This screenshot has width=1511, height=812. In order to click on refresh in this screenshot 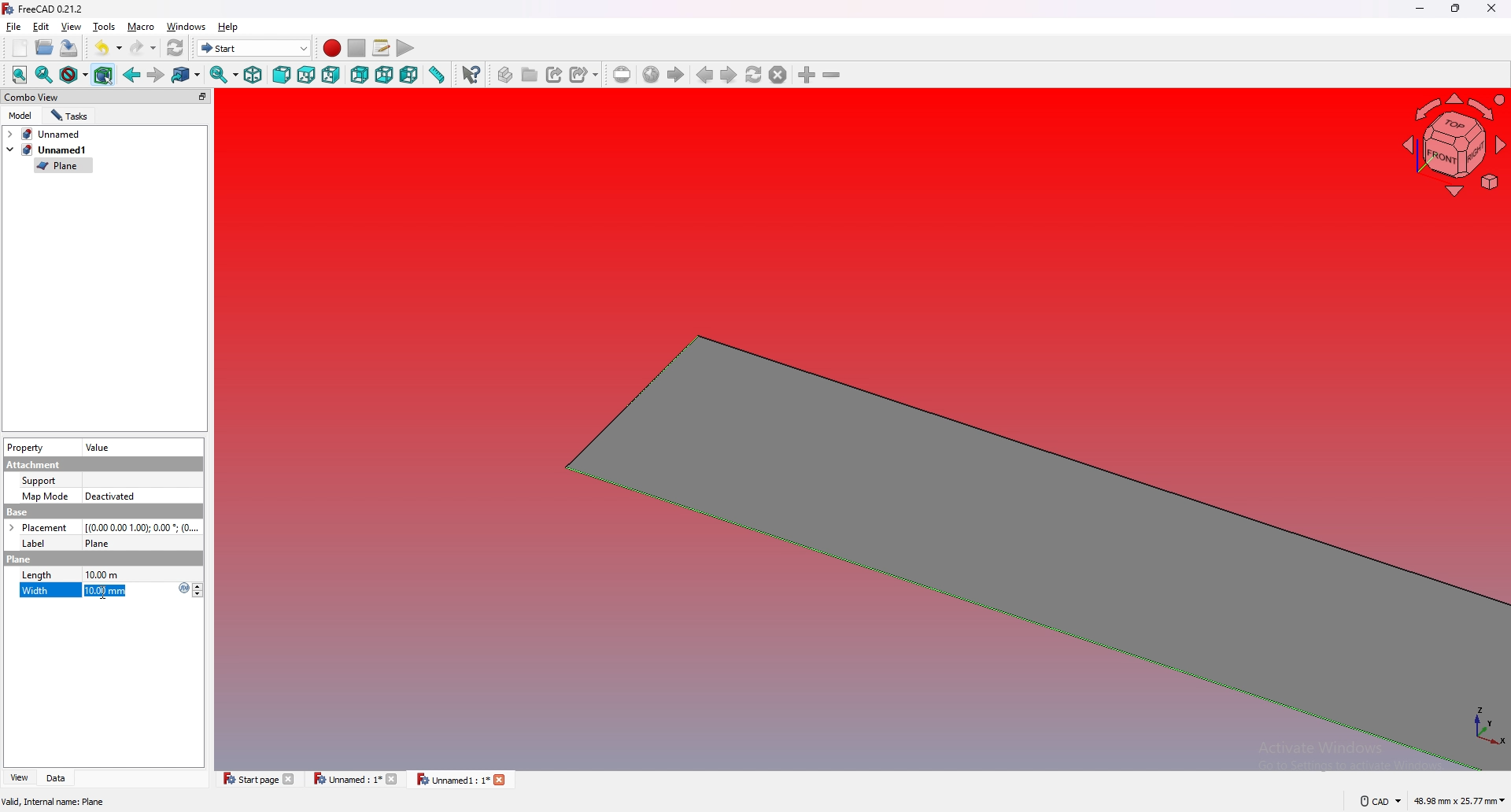, I will do `click(176, 49)`.